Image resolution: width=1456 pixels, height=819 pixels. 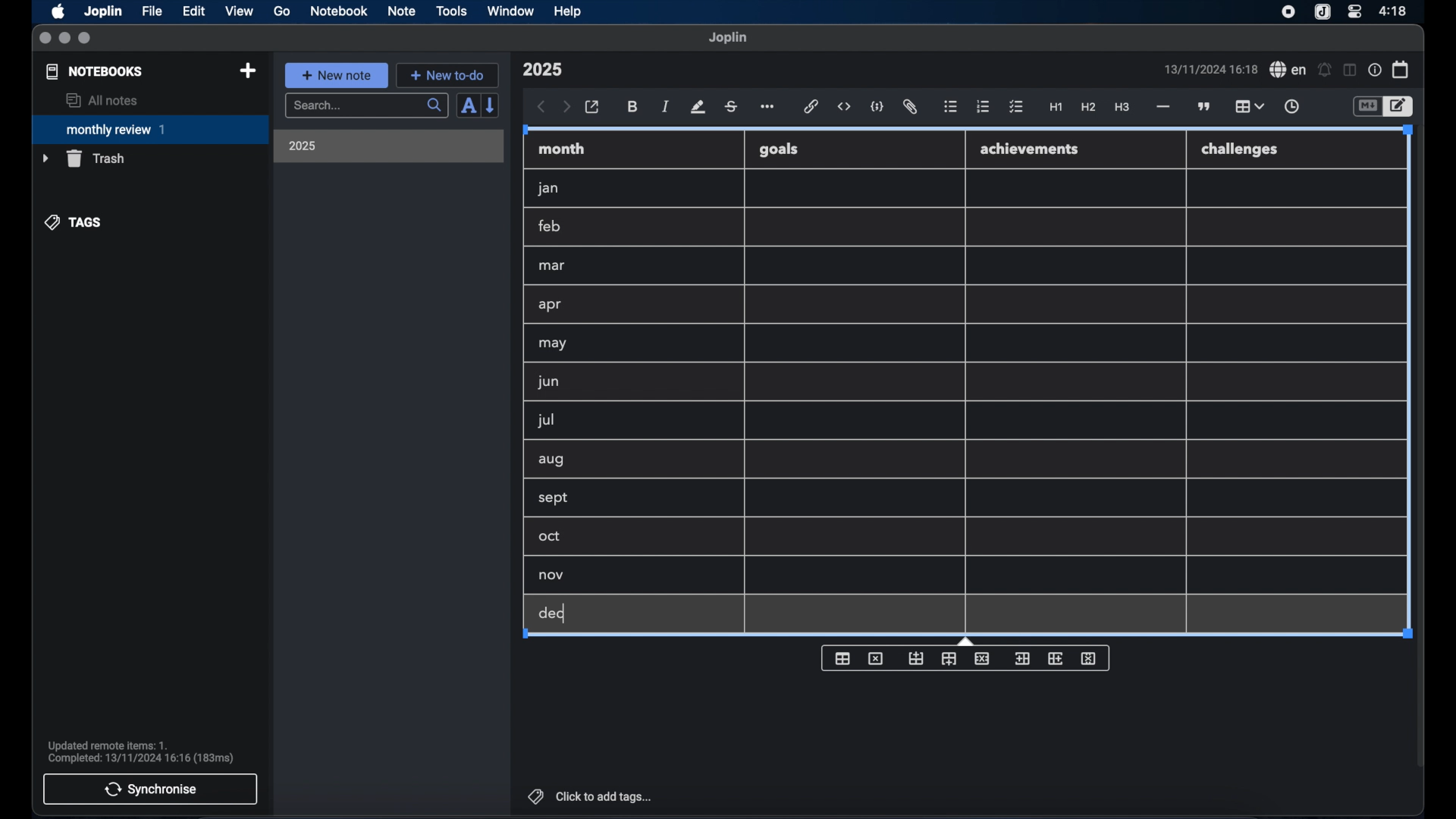 I want to click on bold, so click(x=634, y=107).